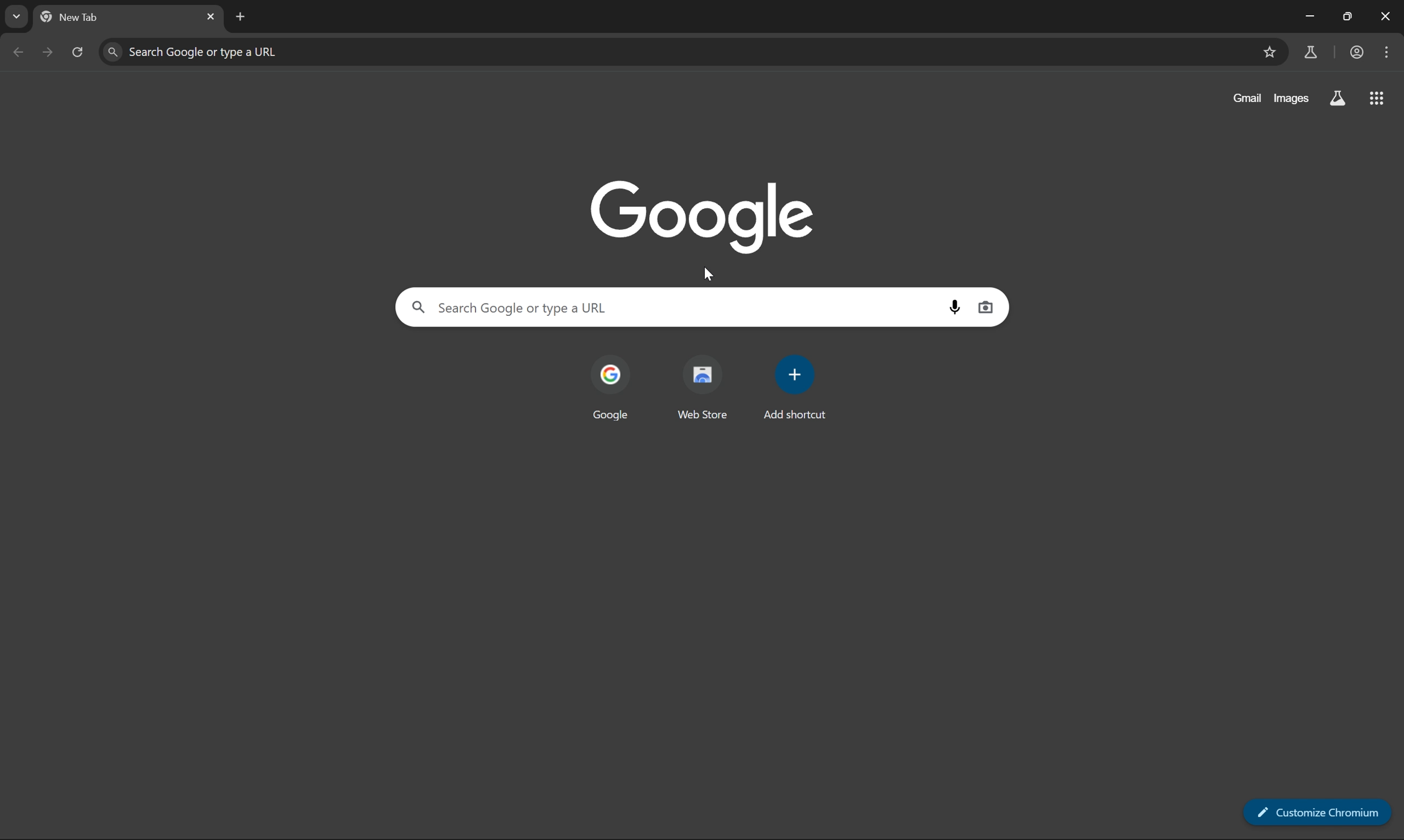  Describe the element at coordinates (212, 18) in the screenshot. I see `close` at that location.